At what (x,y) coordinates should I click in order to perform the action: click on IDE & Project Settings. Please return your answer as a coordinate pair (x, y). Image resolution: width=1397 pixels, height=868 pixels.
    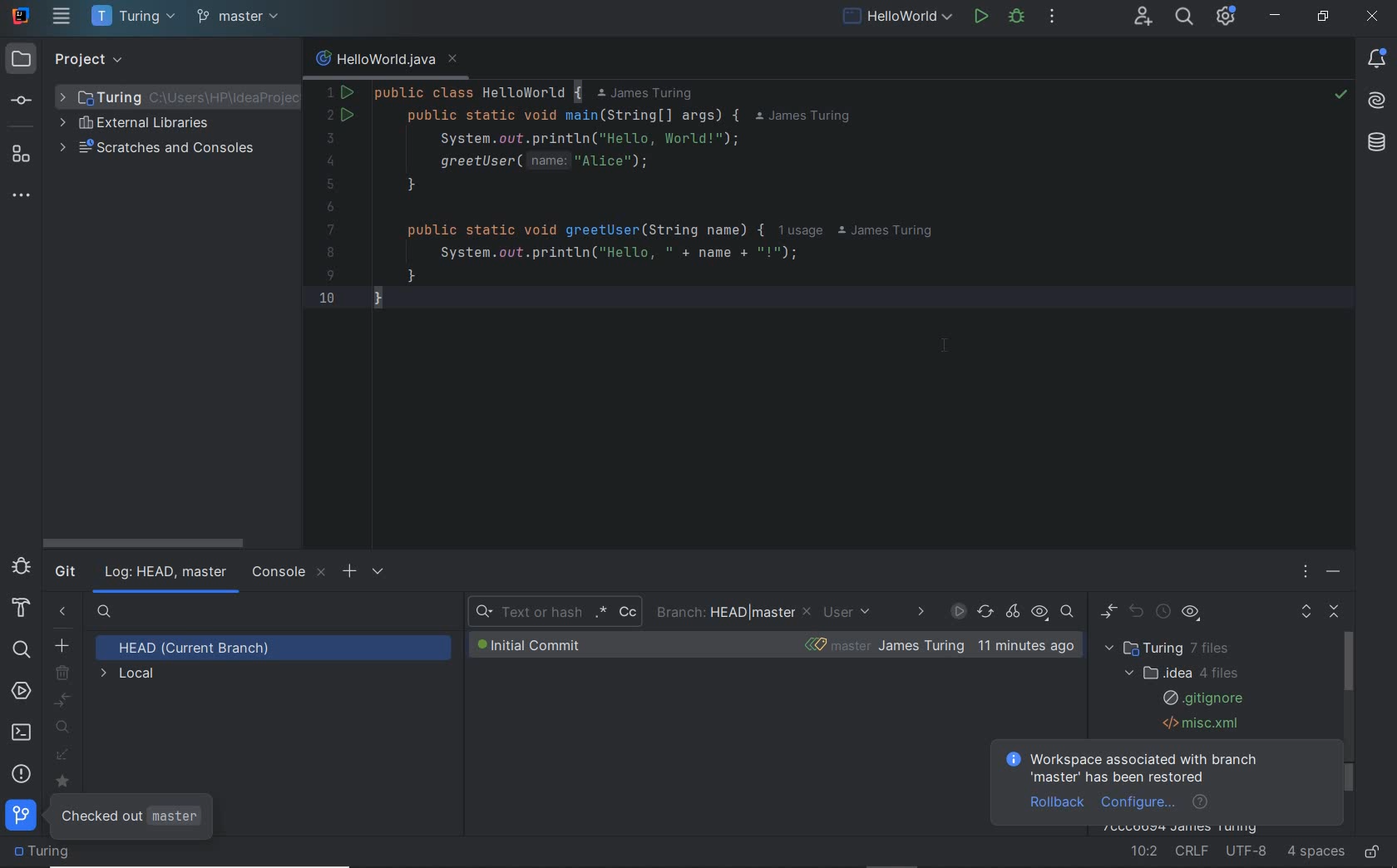
    Looking at the image, I should click on (1227, 17).